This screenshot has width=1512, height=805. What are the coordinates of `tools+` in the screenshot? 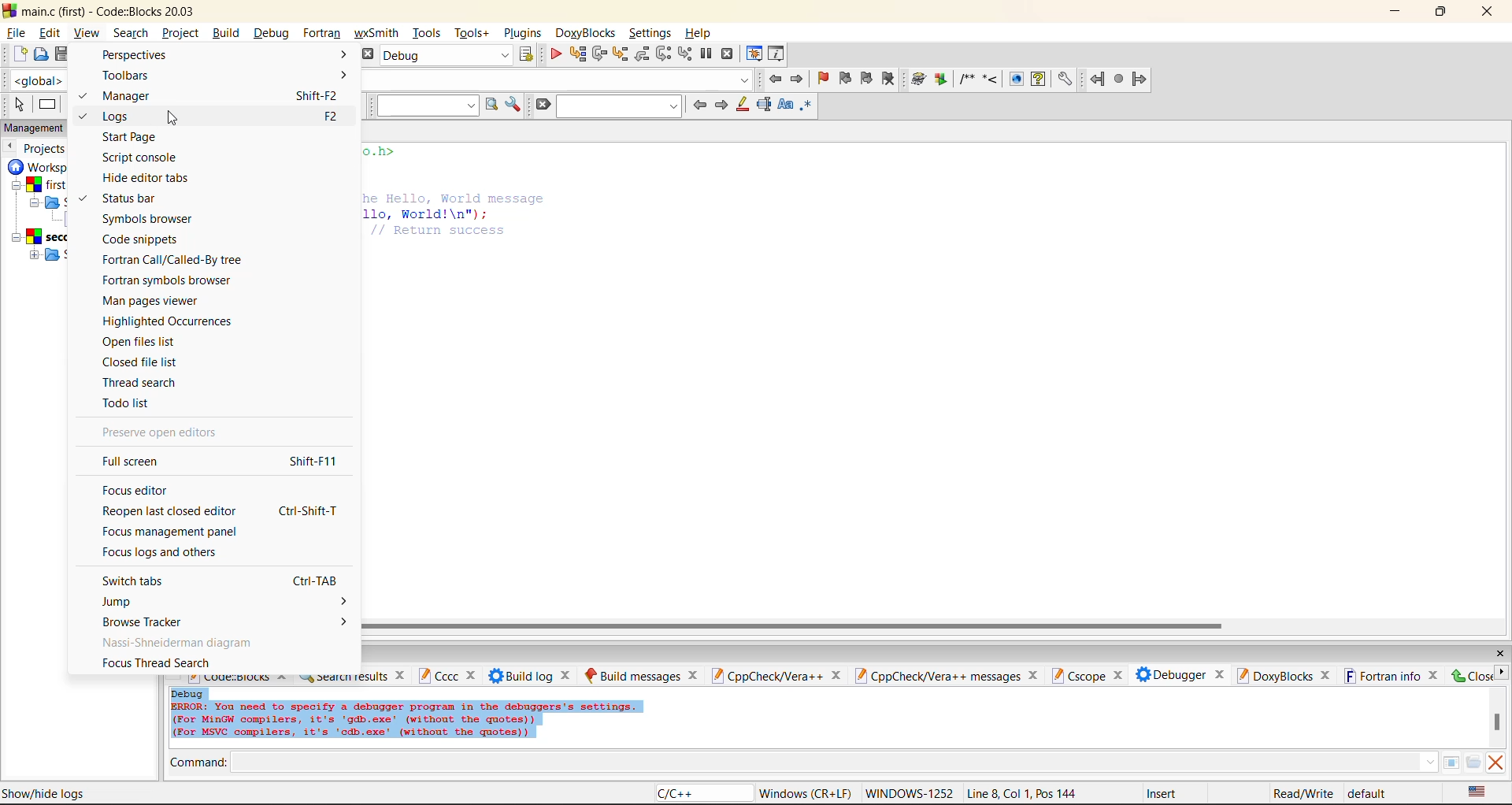 It's located at (475, 35).